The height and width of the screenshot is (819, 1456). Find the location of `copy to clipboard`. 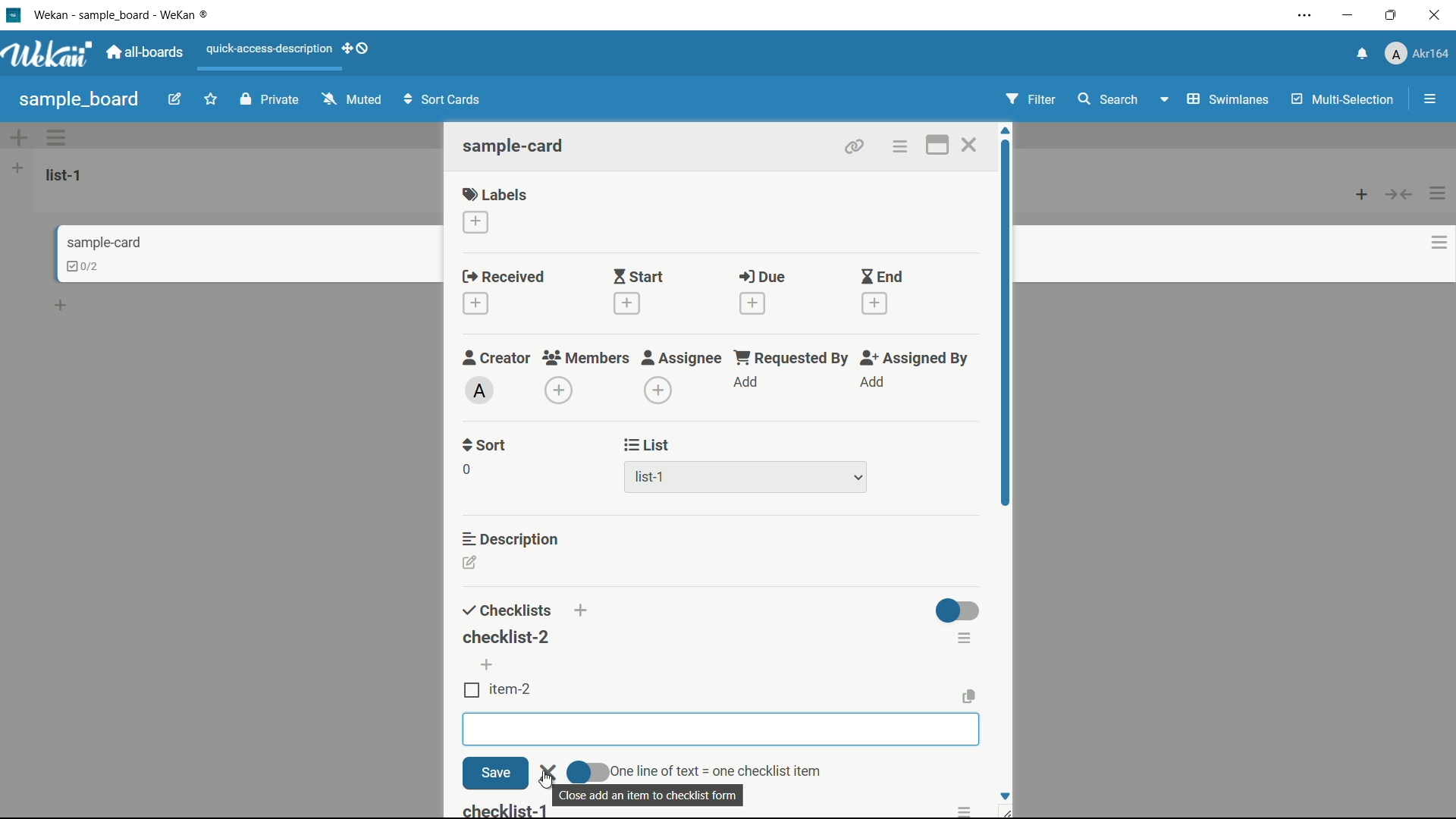

copy to clipboard is located at coordinates (971, 696).